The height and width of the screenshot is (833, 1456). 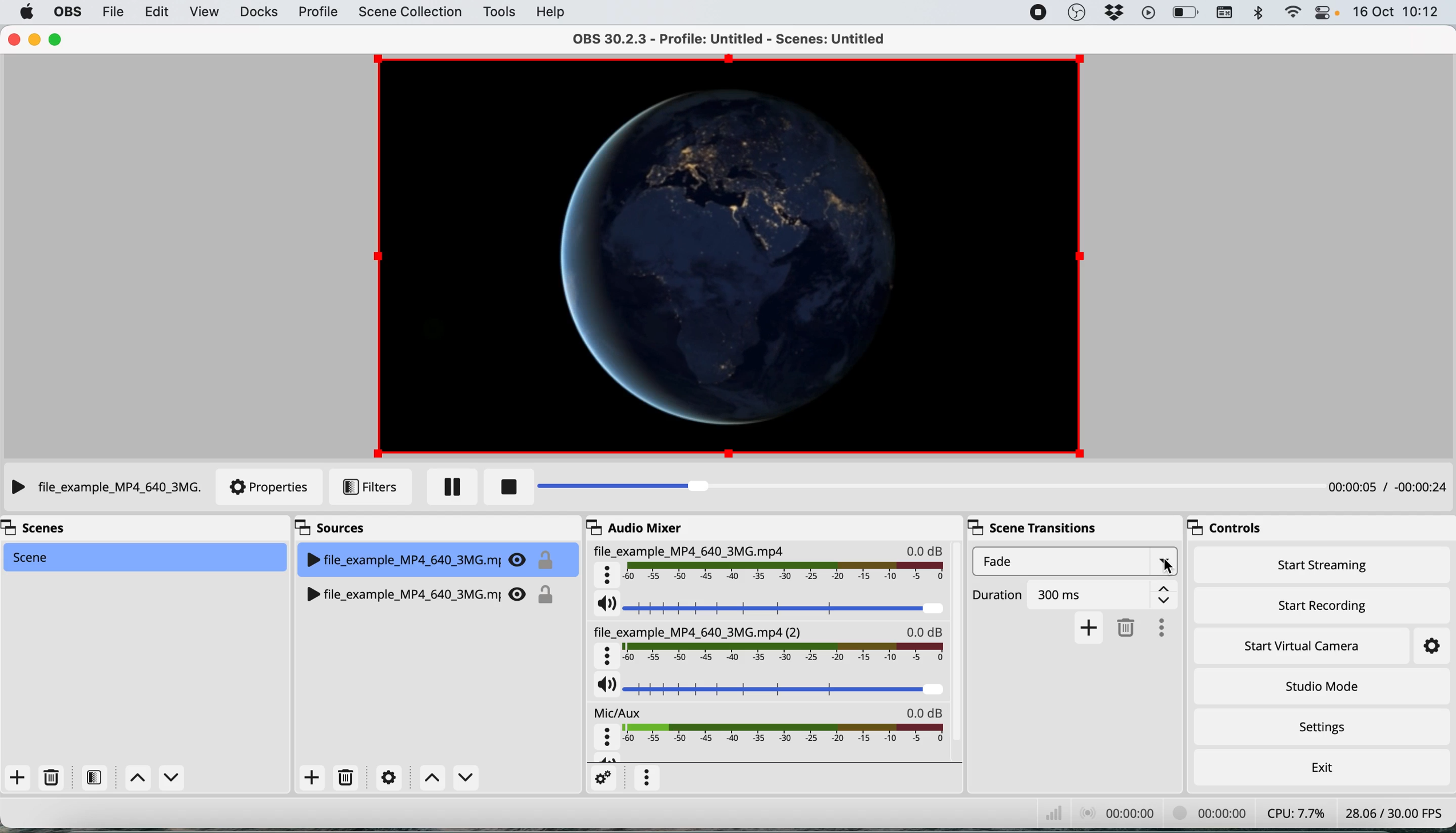 I want to click on settings, so click(x=600, y=778).